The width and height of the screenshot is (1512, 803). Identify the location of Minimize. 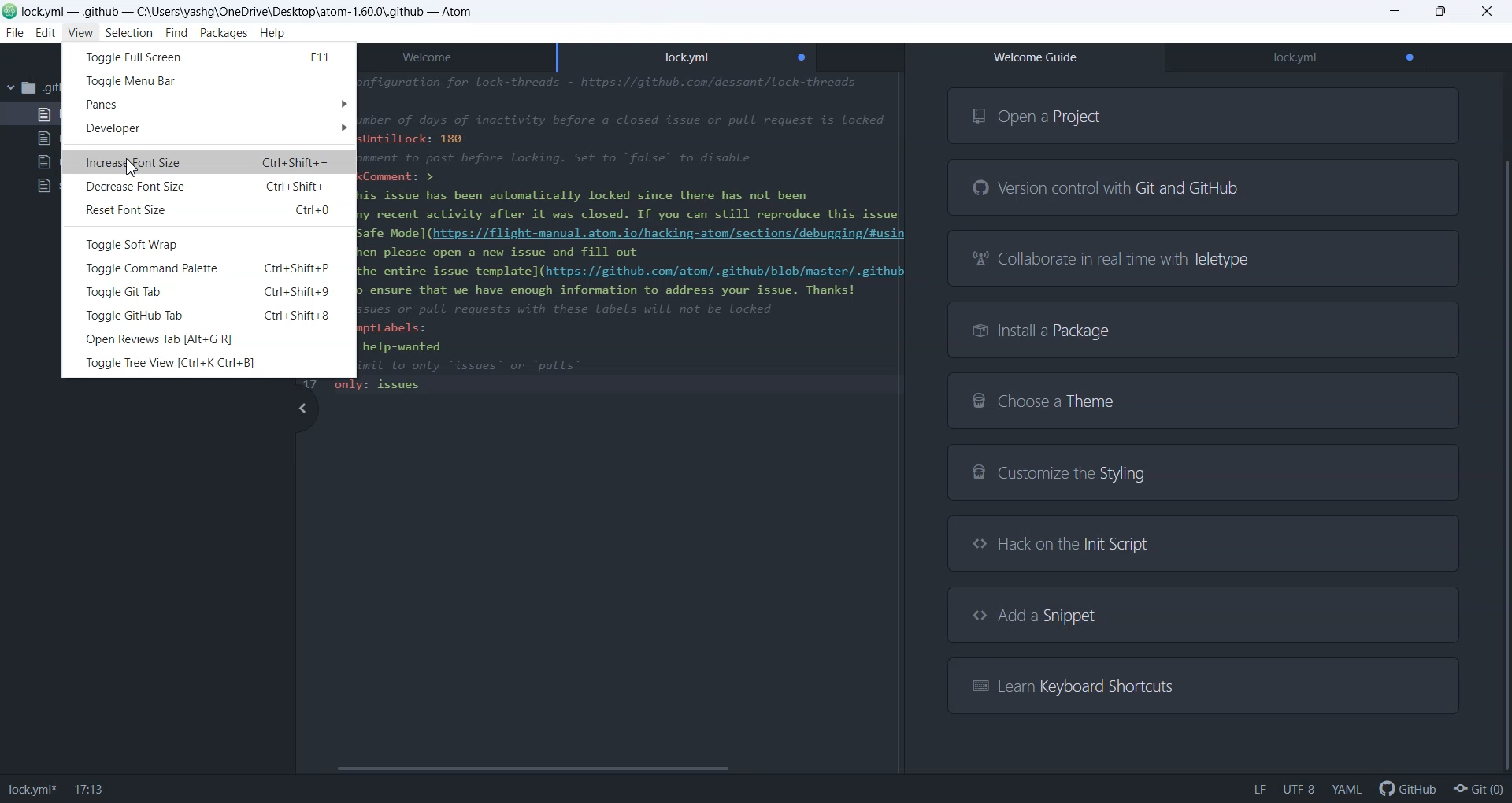
(1396, 12).